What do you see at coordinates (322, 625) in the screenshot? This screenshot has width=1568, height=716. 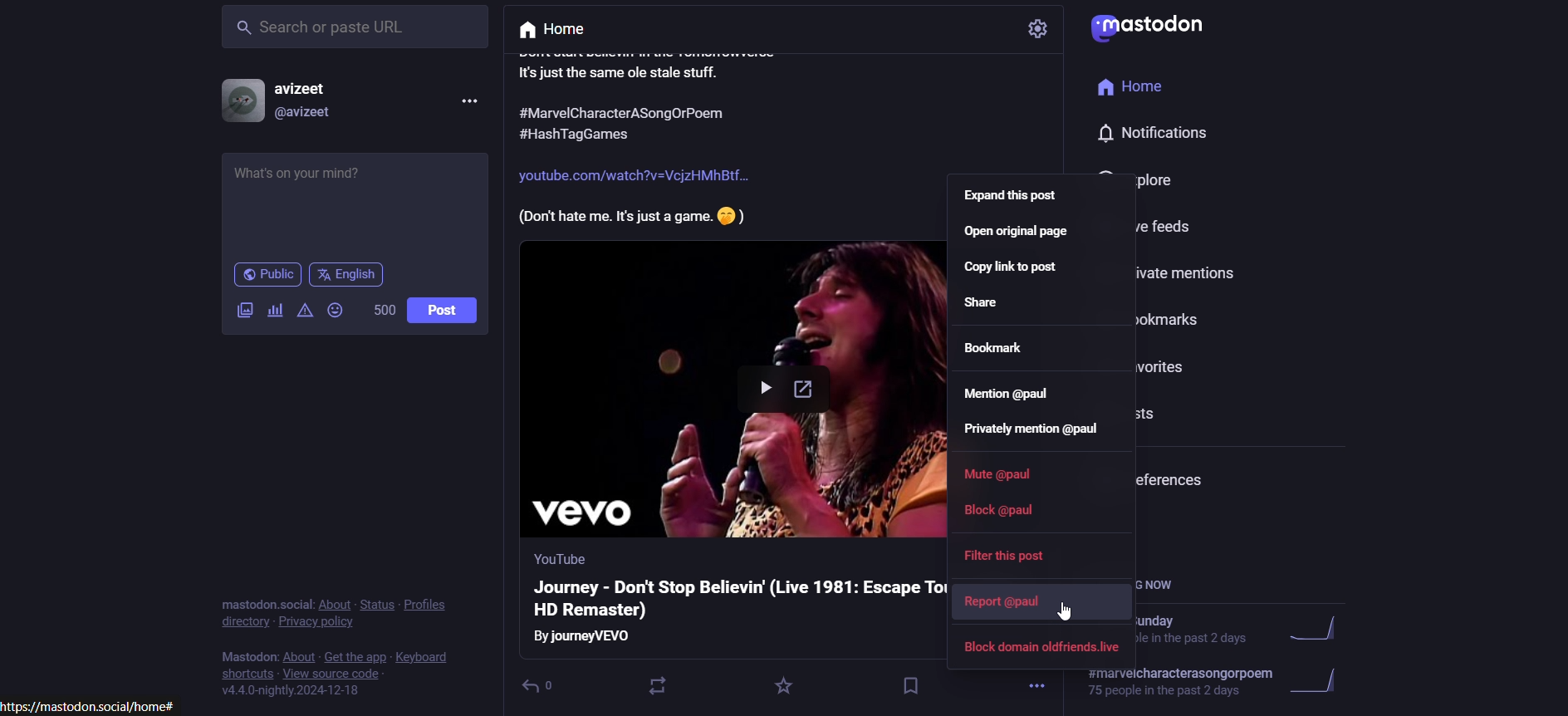 I see `privacy polivy` at bounding box center [322, 625].